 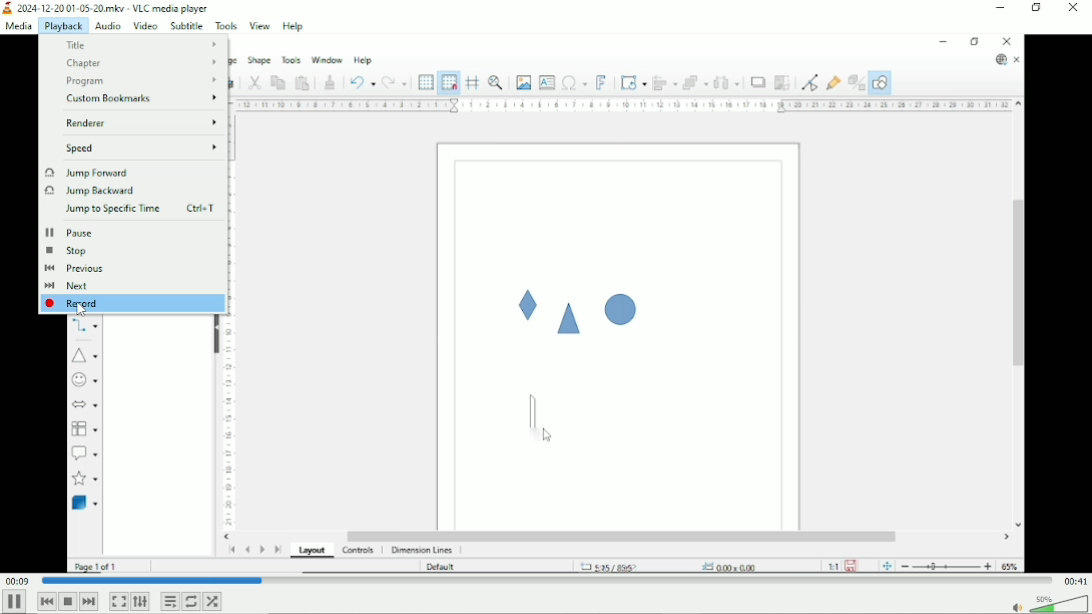 What do you see at coordinates (138, 209) in the screenshot?
I see `Jump to specific time` at bounding box center [138, 209].